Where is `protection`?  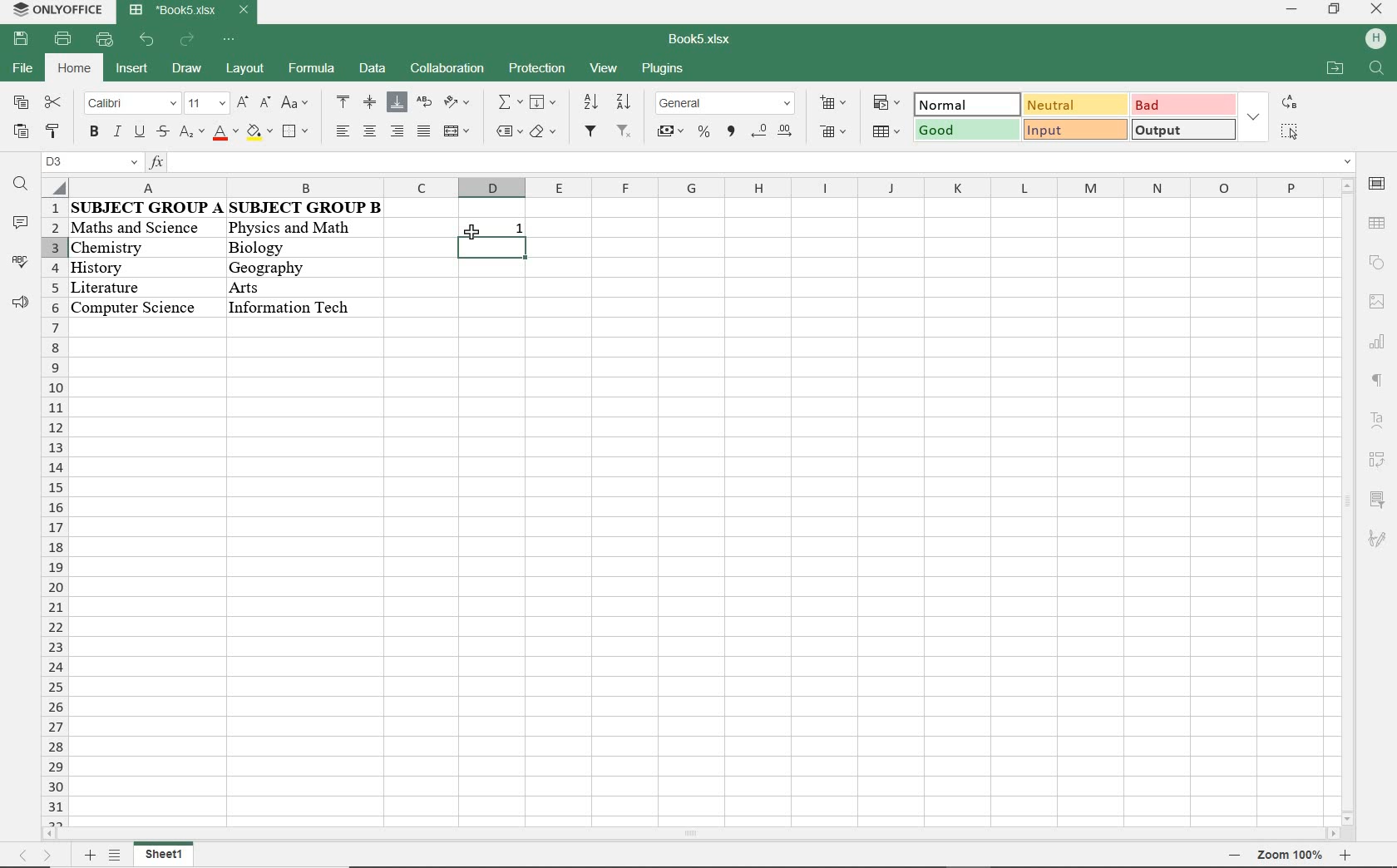 protection is located at coordinates (536, 70).